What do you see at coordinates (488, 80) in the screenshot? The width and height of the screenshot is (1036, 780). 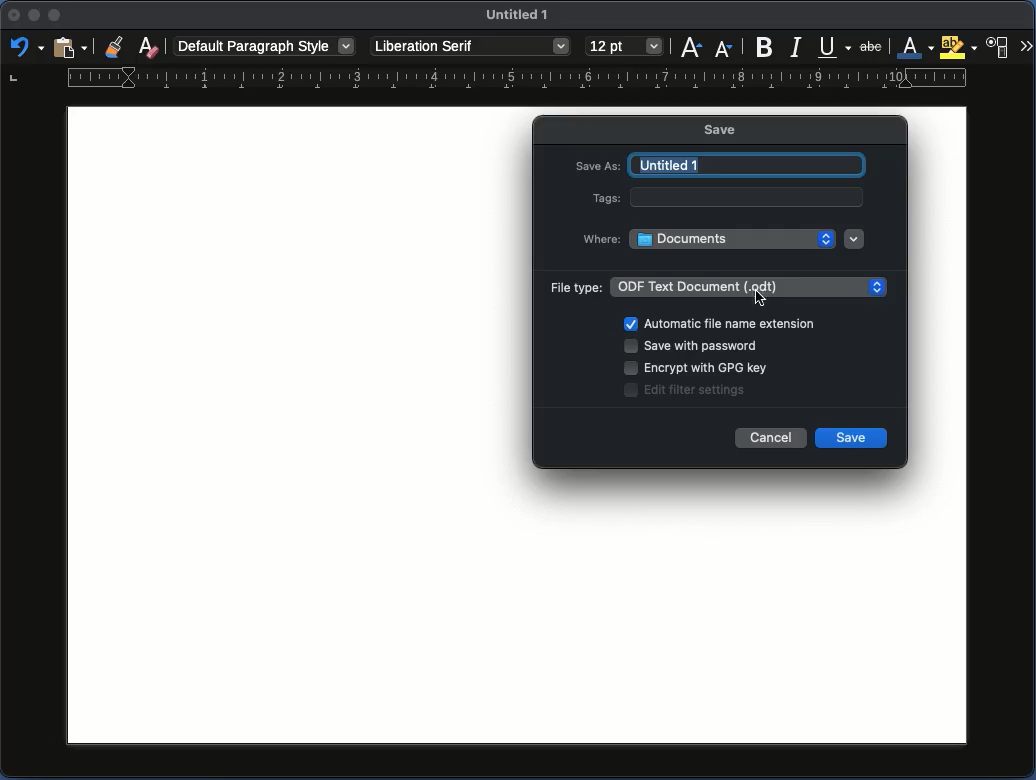 I see `Ruler` at bounding box center [488, 80].